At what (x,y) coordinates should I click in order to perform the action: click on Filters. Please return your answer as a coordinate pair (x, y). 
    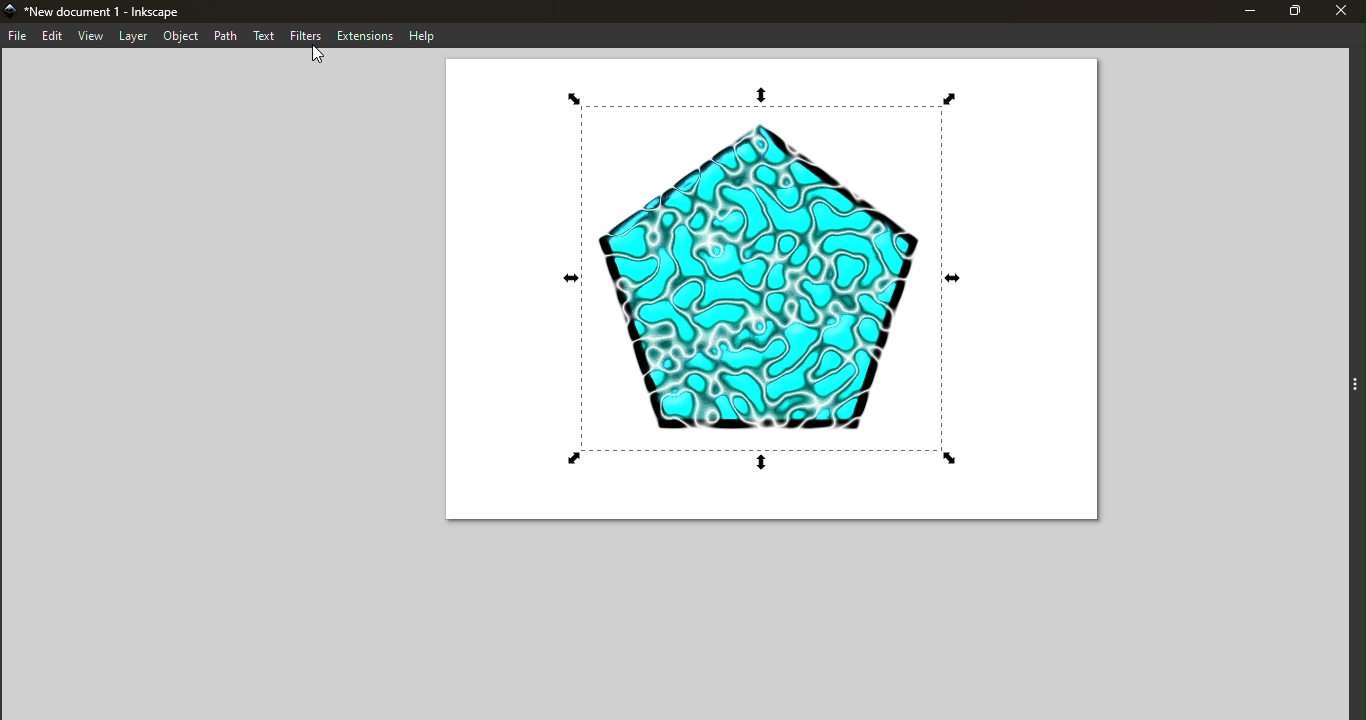
    Looking at the image, I should click on (306, 35).